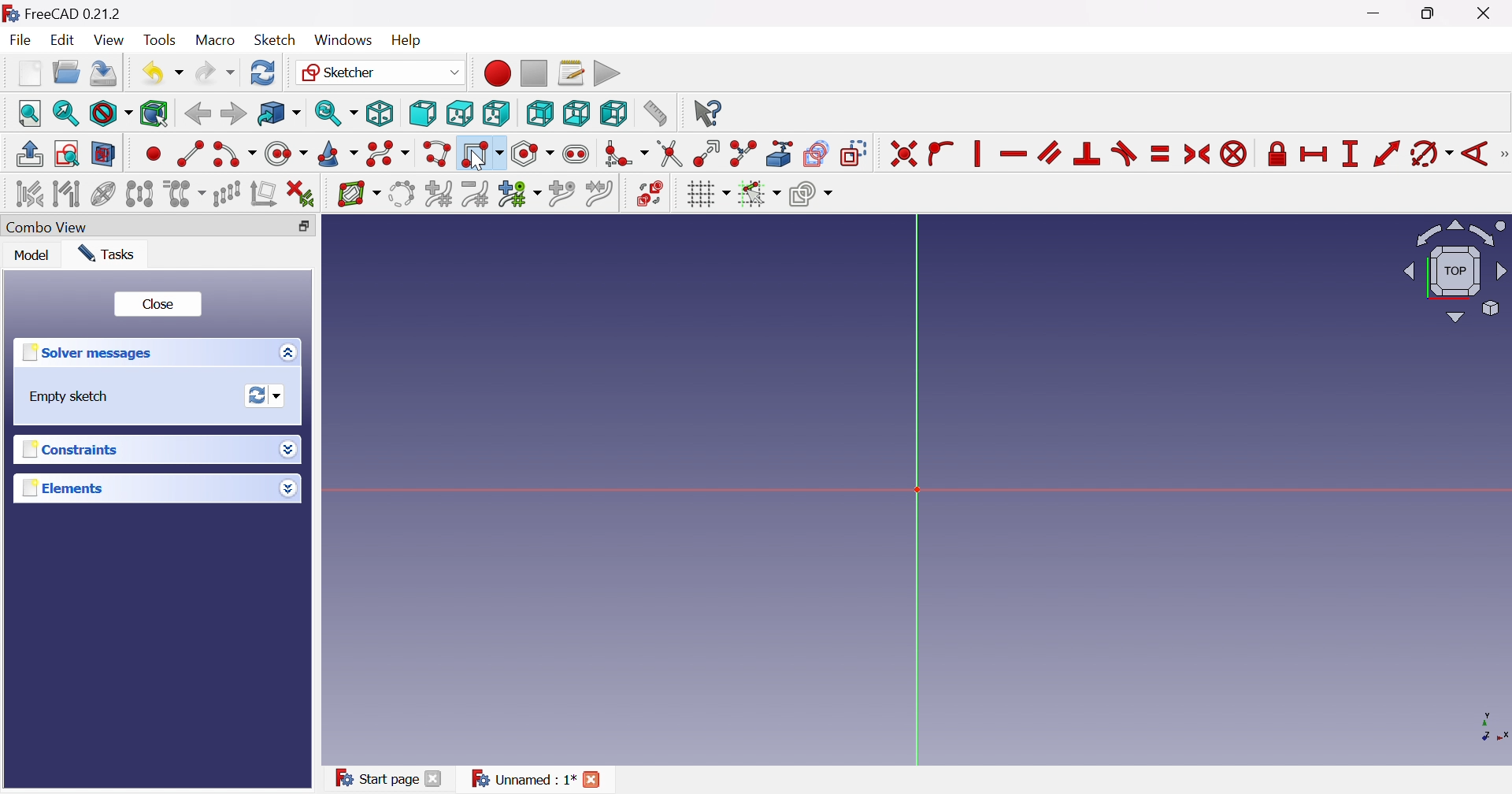 Image resolution: width=1512 pixels, height=794 pixels. Describe the element at coordinates (422, 114) in the screenshot. I see `Front` at that location.